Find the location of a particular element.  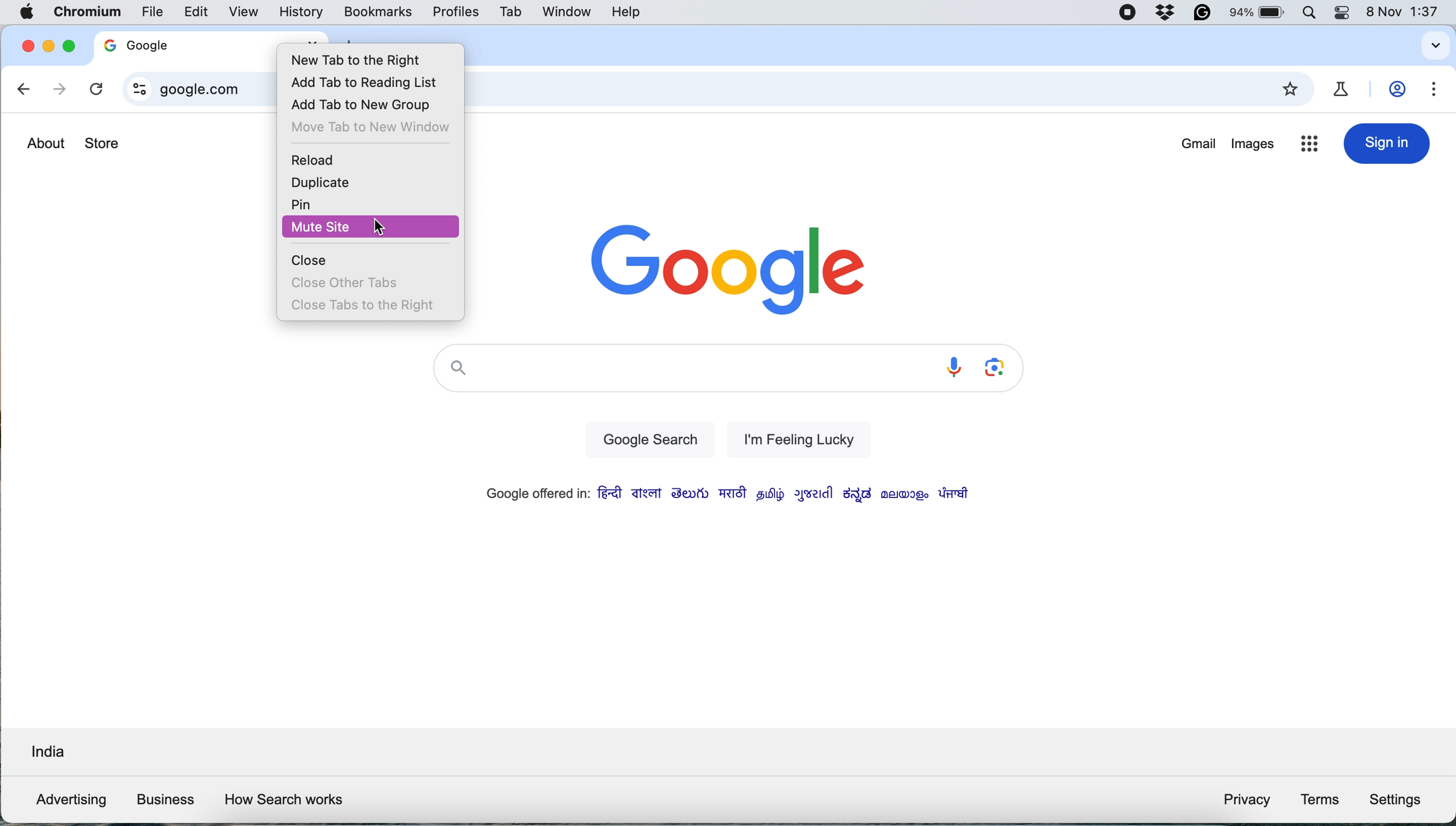

images is located at coordinates (1253, 147).